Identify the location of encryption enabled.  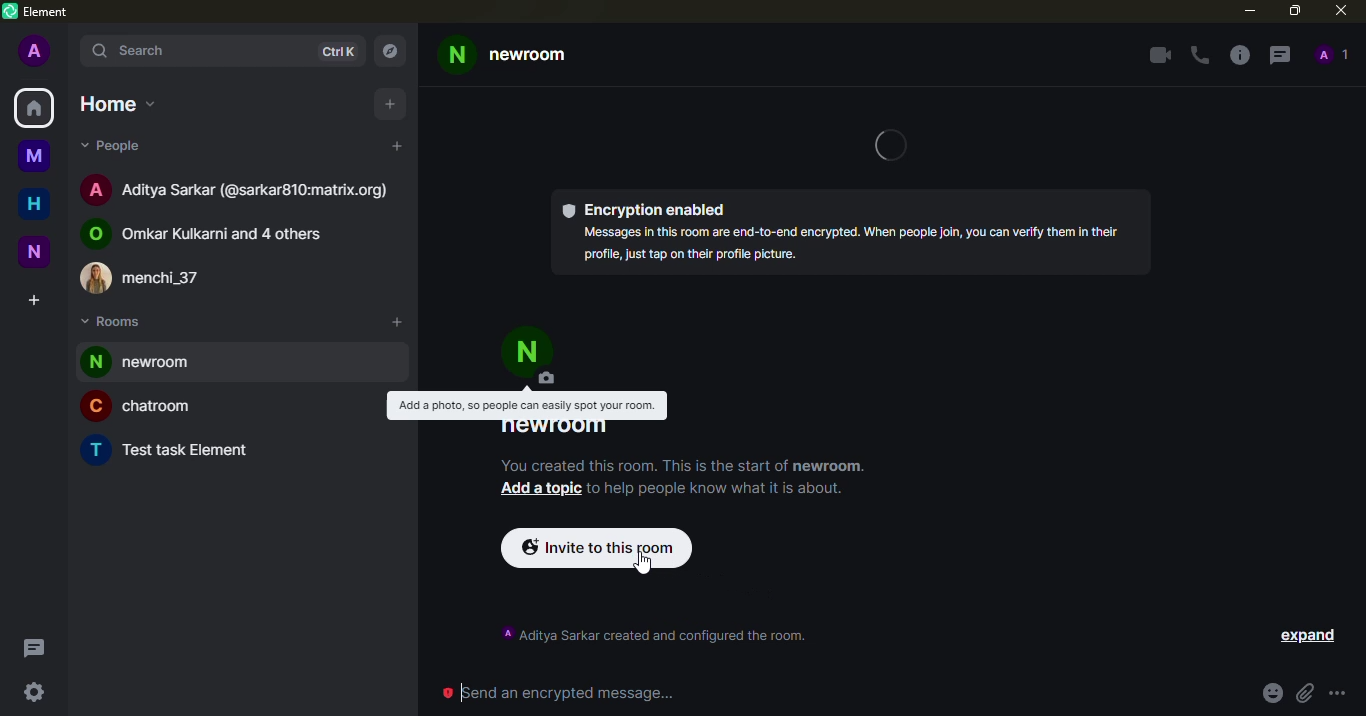
(642, 207).